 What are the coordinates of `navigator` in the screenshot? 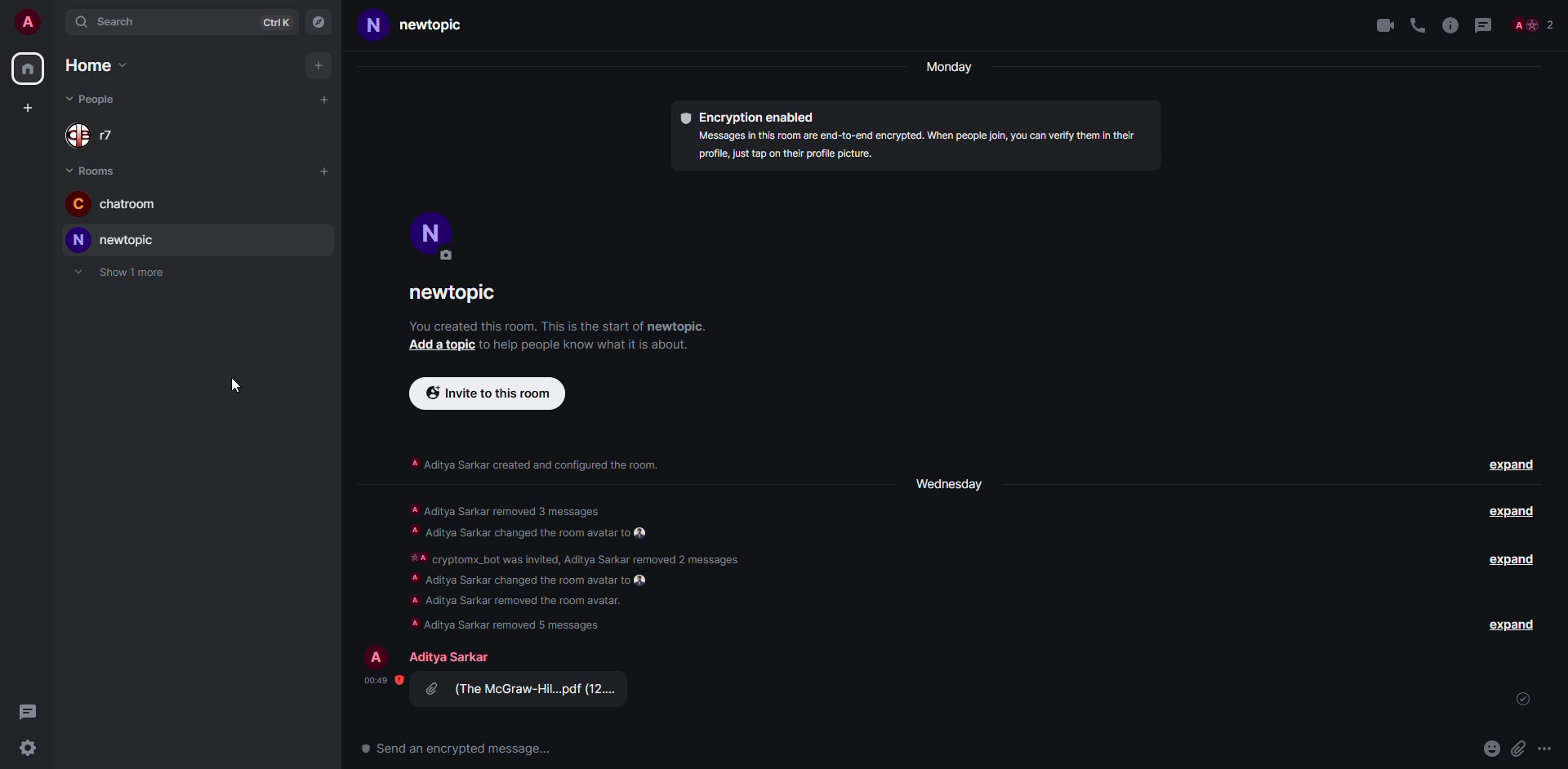 It's located at (319, 23).